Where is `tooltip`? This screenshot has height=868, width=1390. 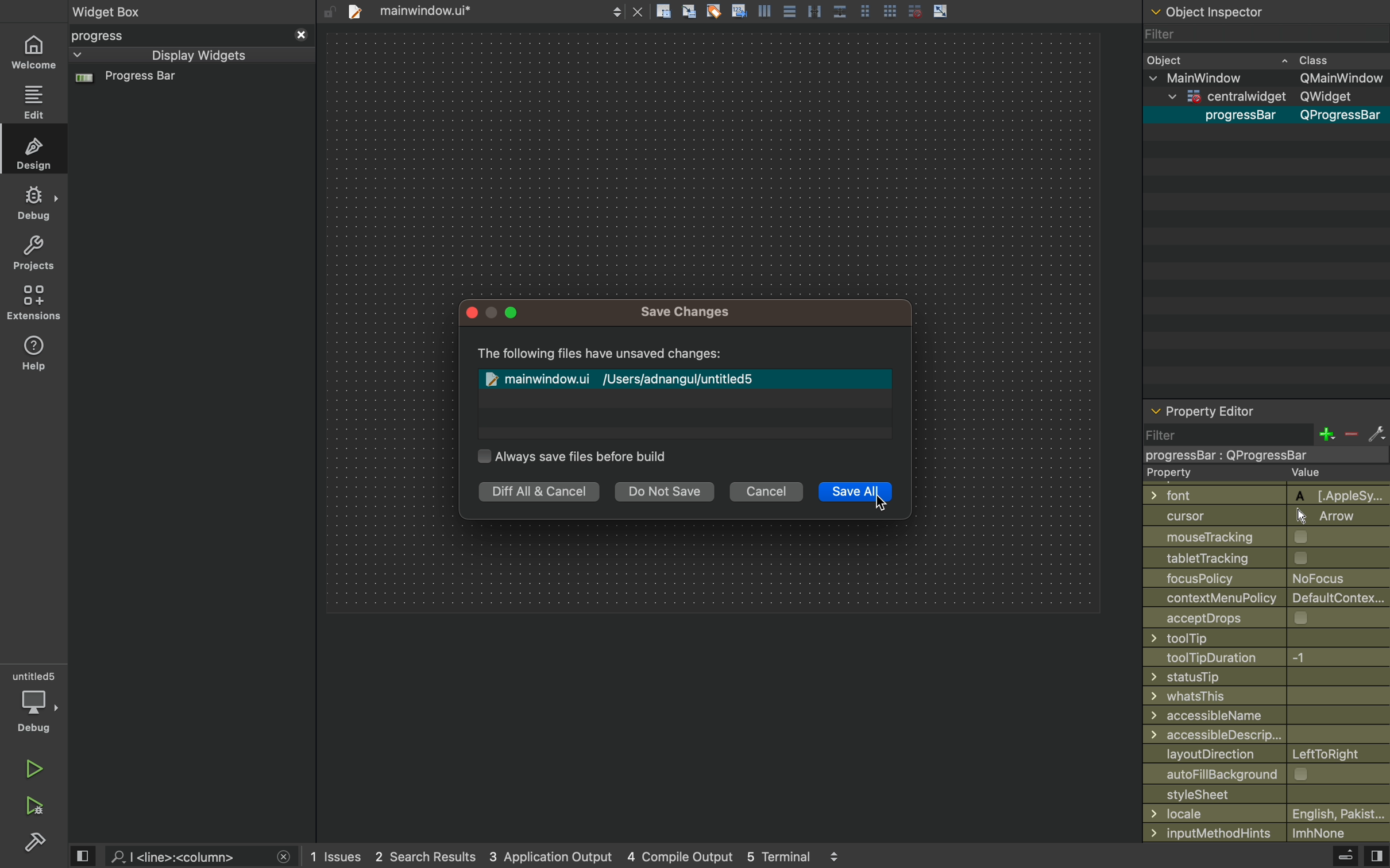
tooltip is located at coordinates (1255, 638).